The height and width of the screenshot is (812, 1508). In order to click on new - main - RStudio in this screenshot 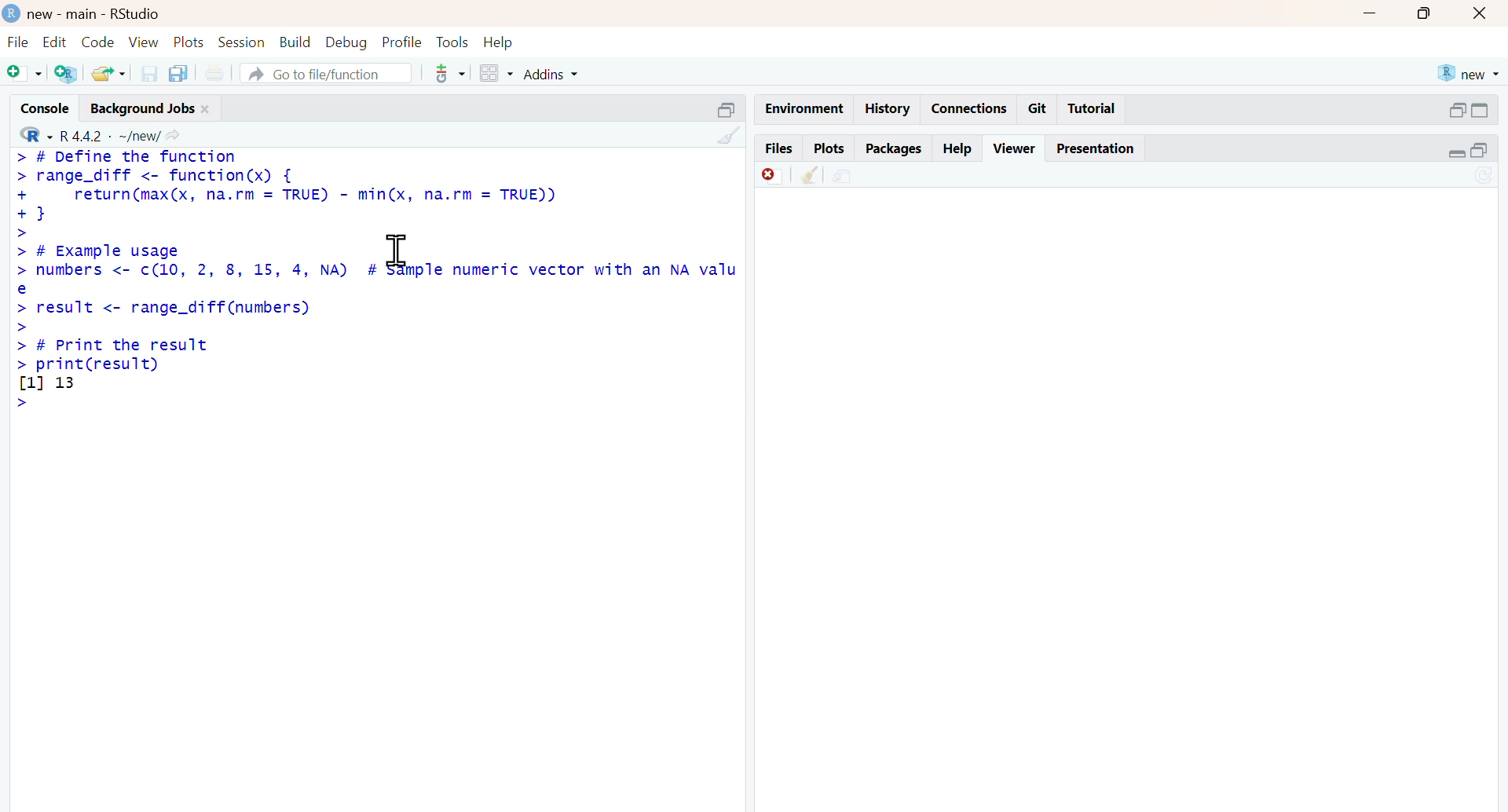, I will do `click(96, 16)`.